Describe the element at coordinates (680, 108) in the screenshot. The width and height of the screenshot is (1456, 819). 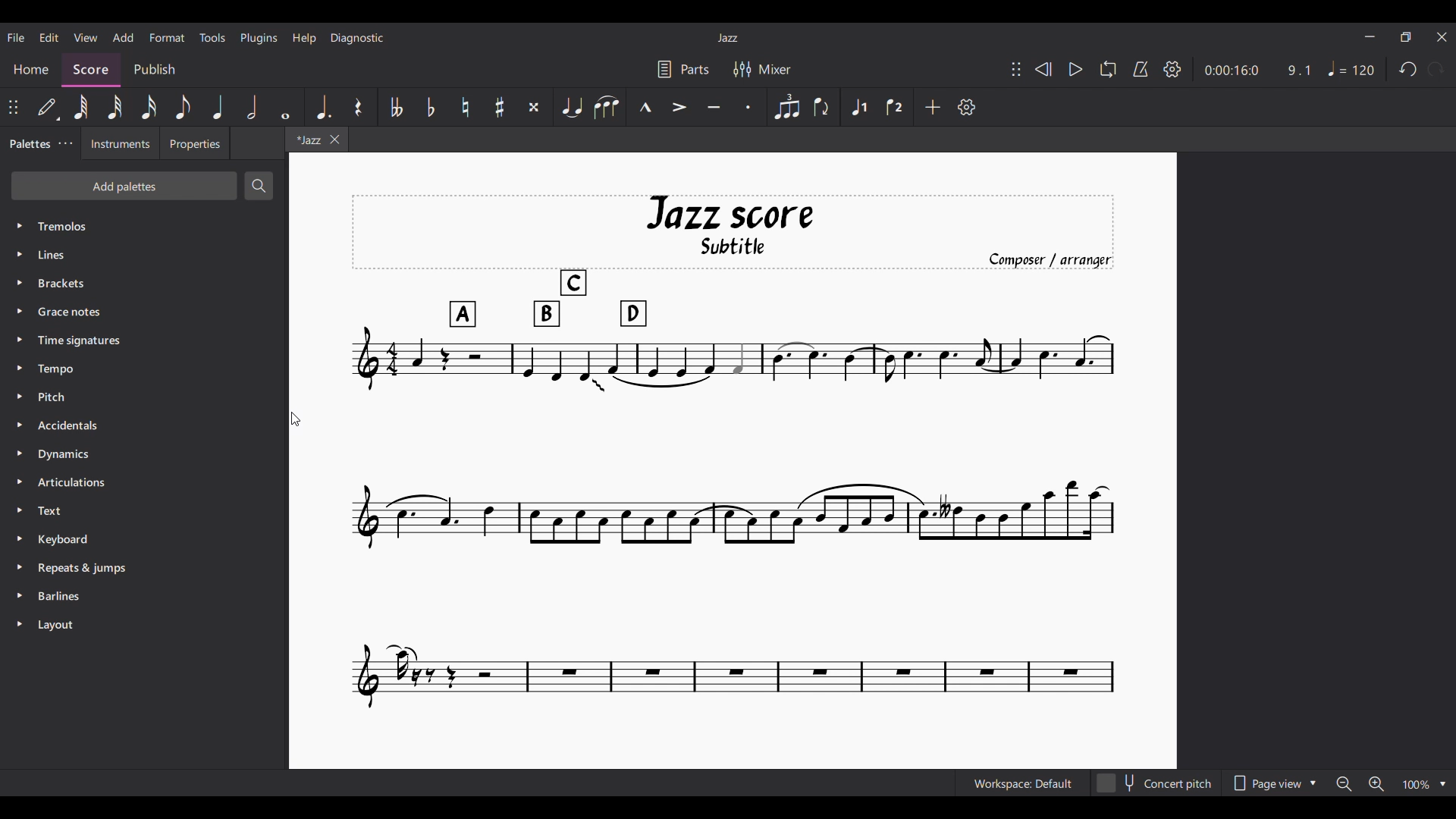
I see `Accent` at that location.